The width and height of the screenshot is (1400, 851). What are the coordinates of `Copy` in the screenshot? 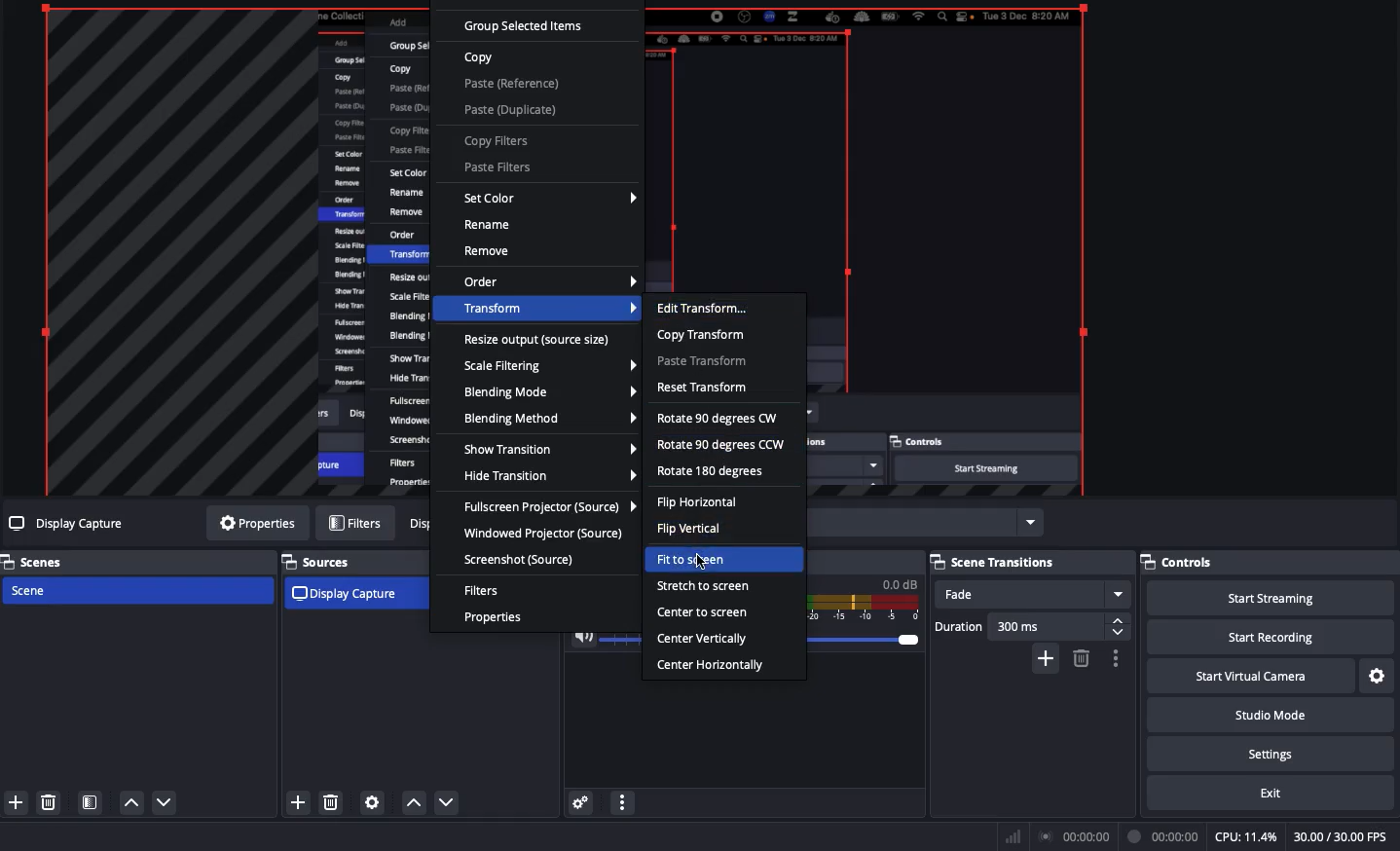 It's located at (480, 58).